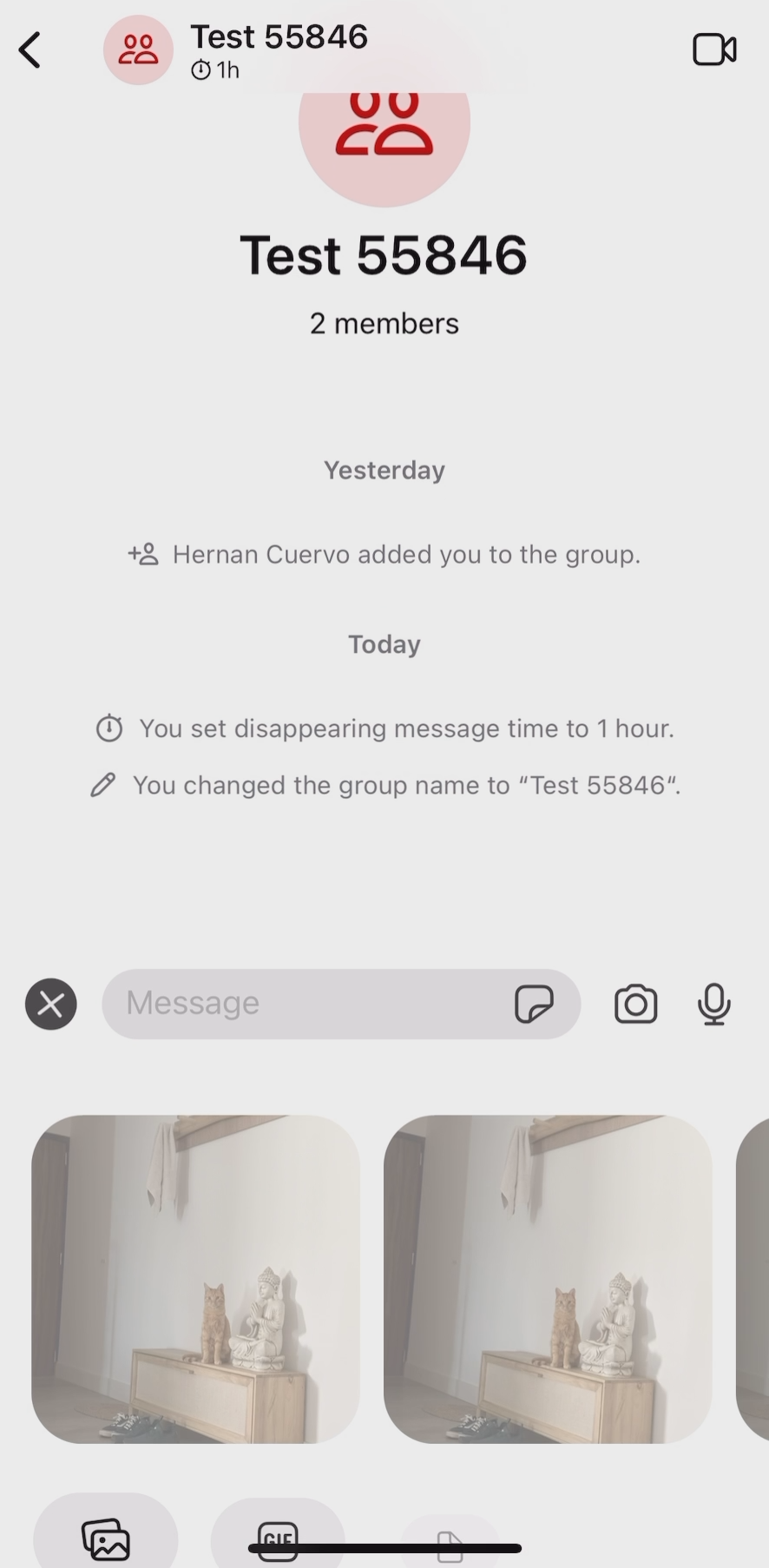 The width and height of the screenshot is (769, 1568). What do you see at coordinates (750, 1272) in the screenshot?
I see `image` at bounding box center [750, 1272].